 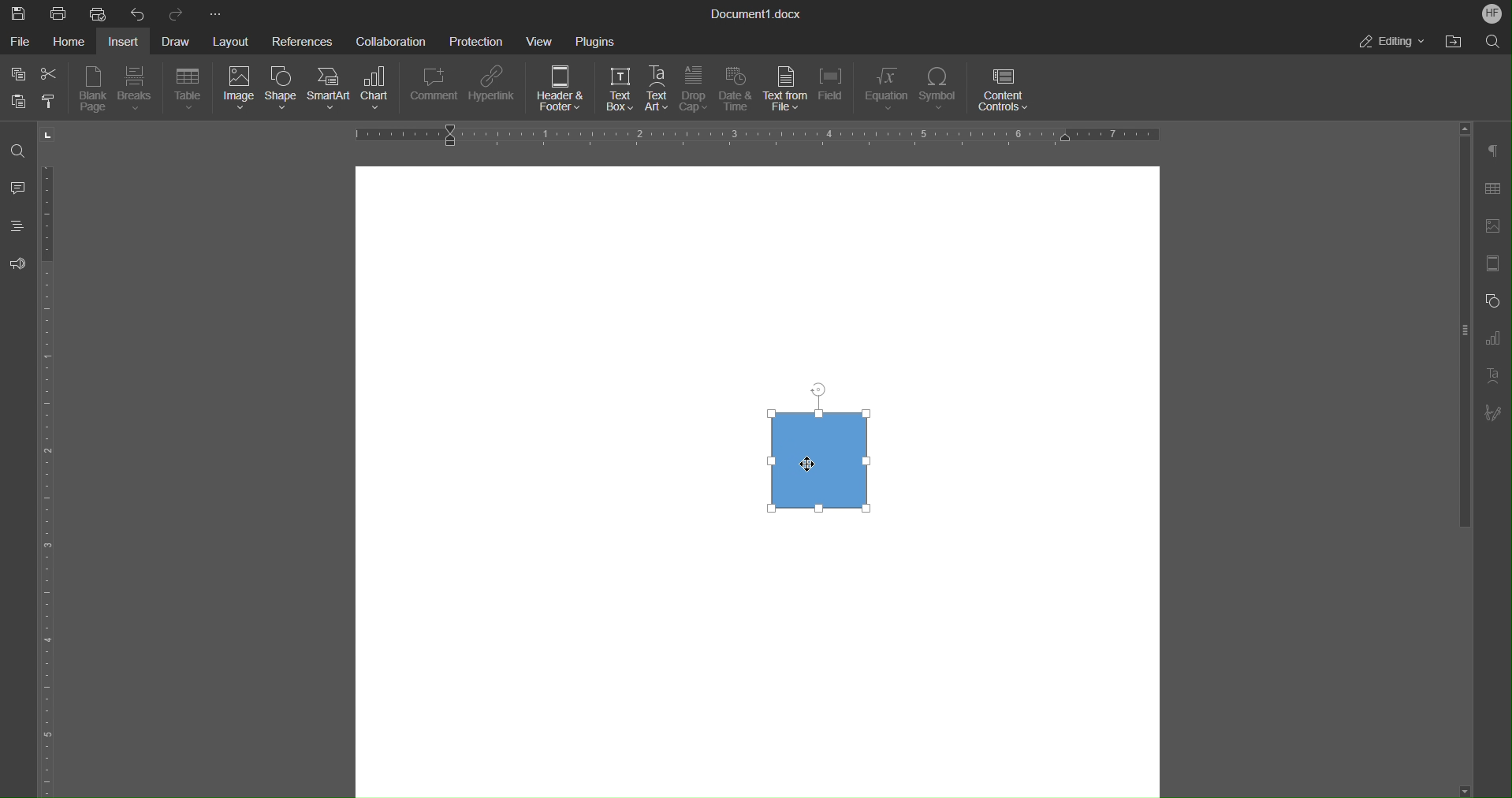 I want to click on Collaboration, so click(x=389, y=41).